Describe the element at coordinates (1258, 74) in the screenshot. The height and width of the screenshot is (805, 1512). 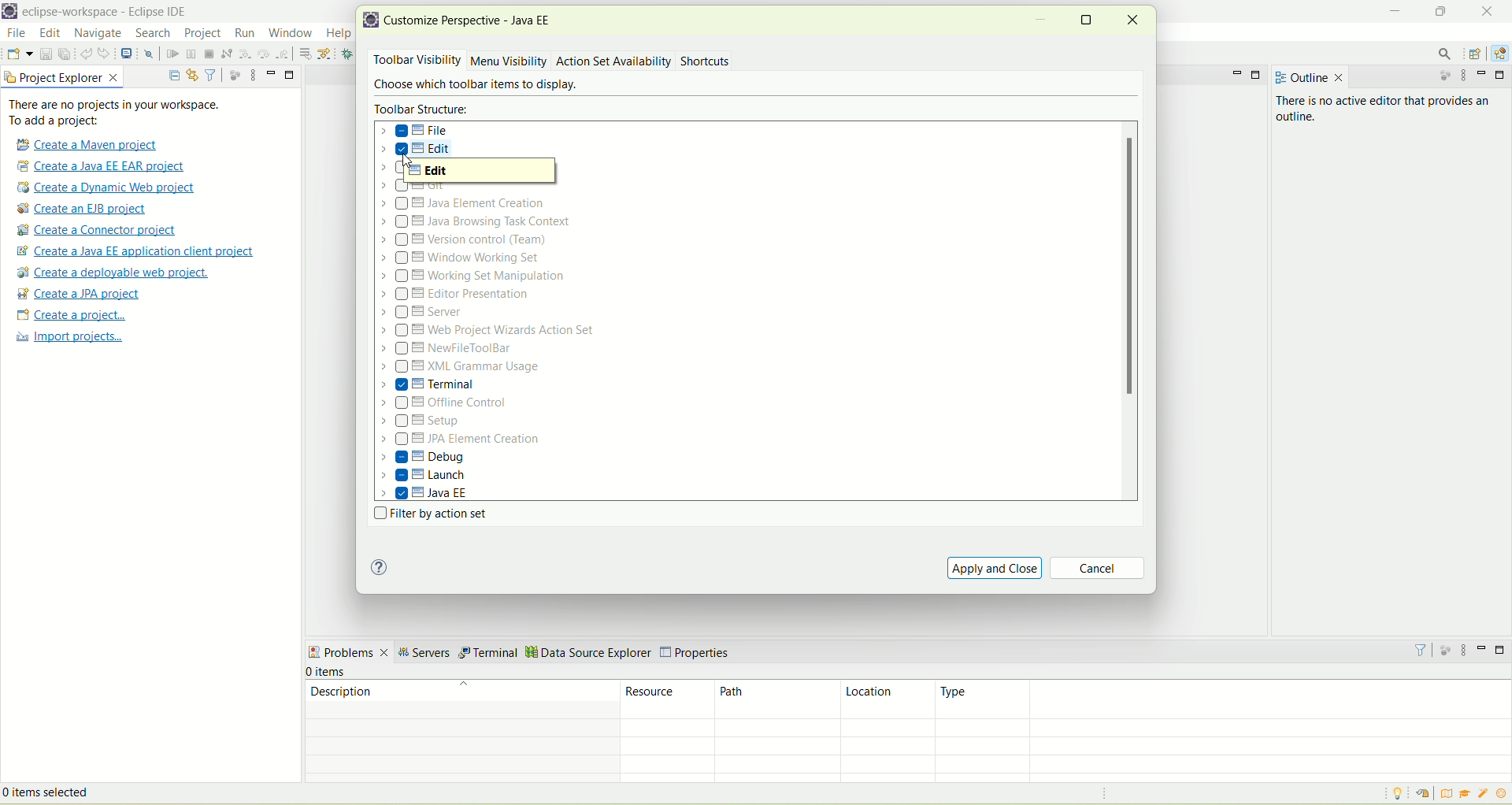
I see `maximize` at that location.